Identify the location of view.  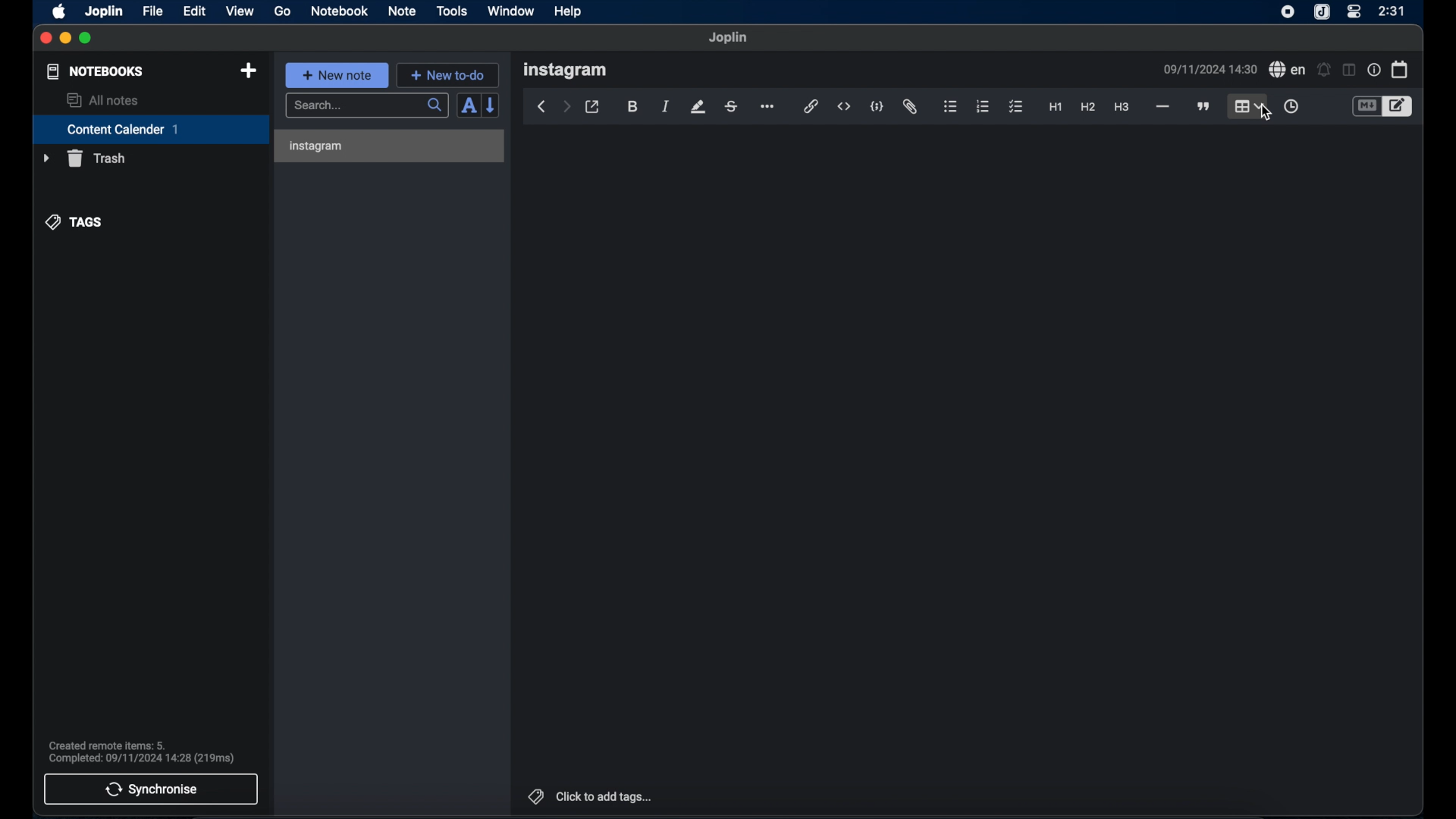
(240, 11).